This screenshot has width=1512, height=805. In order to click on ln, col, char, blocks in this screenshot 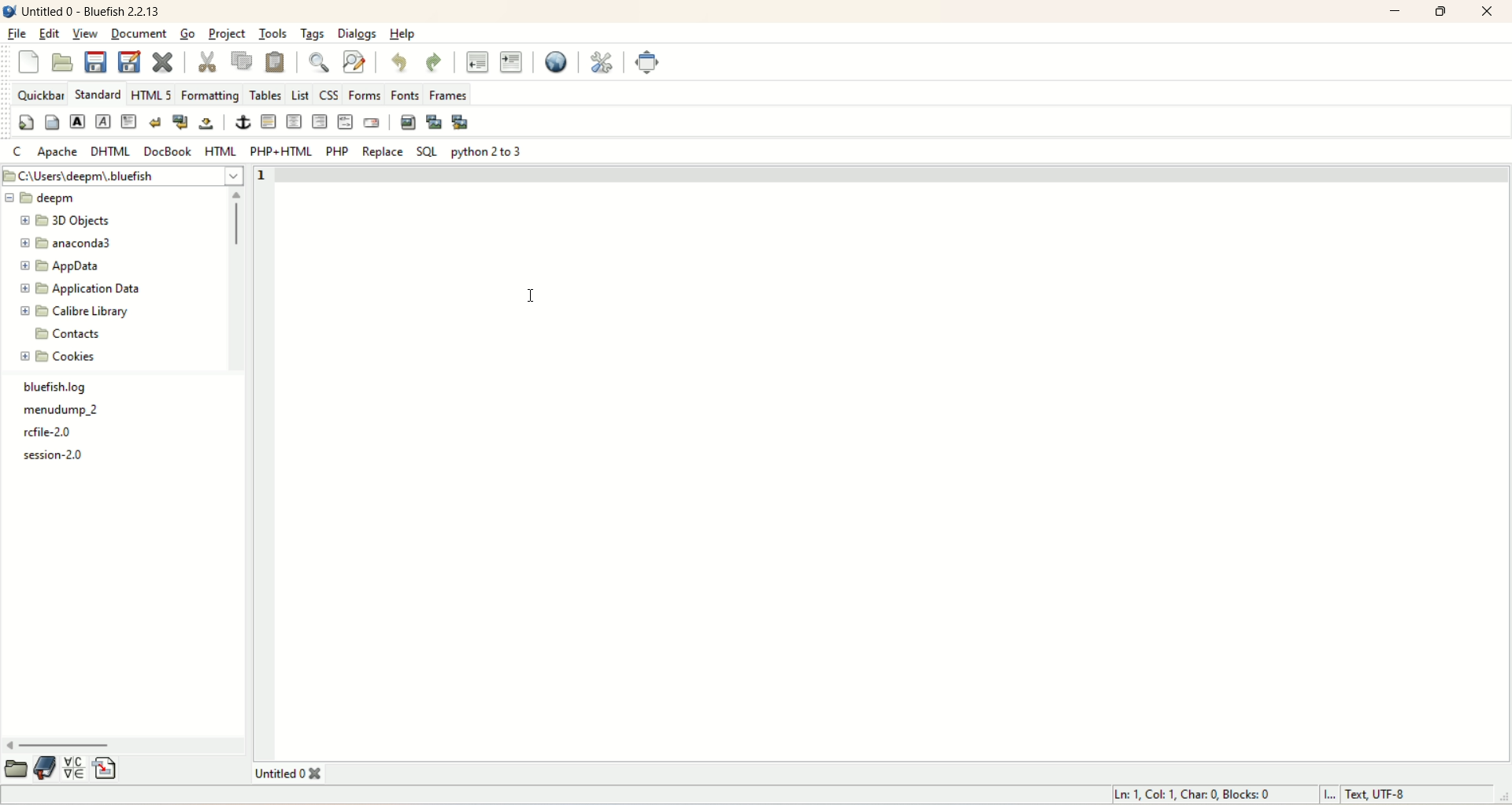, I will do `click(1193, 796)`.